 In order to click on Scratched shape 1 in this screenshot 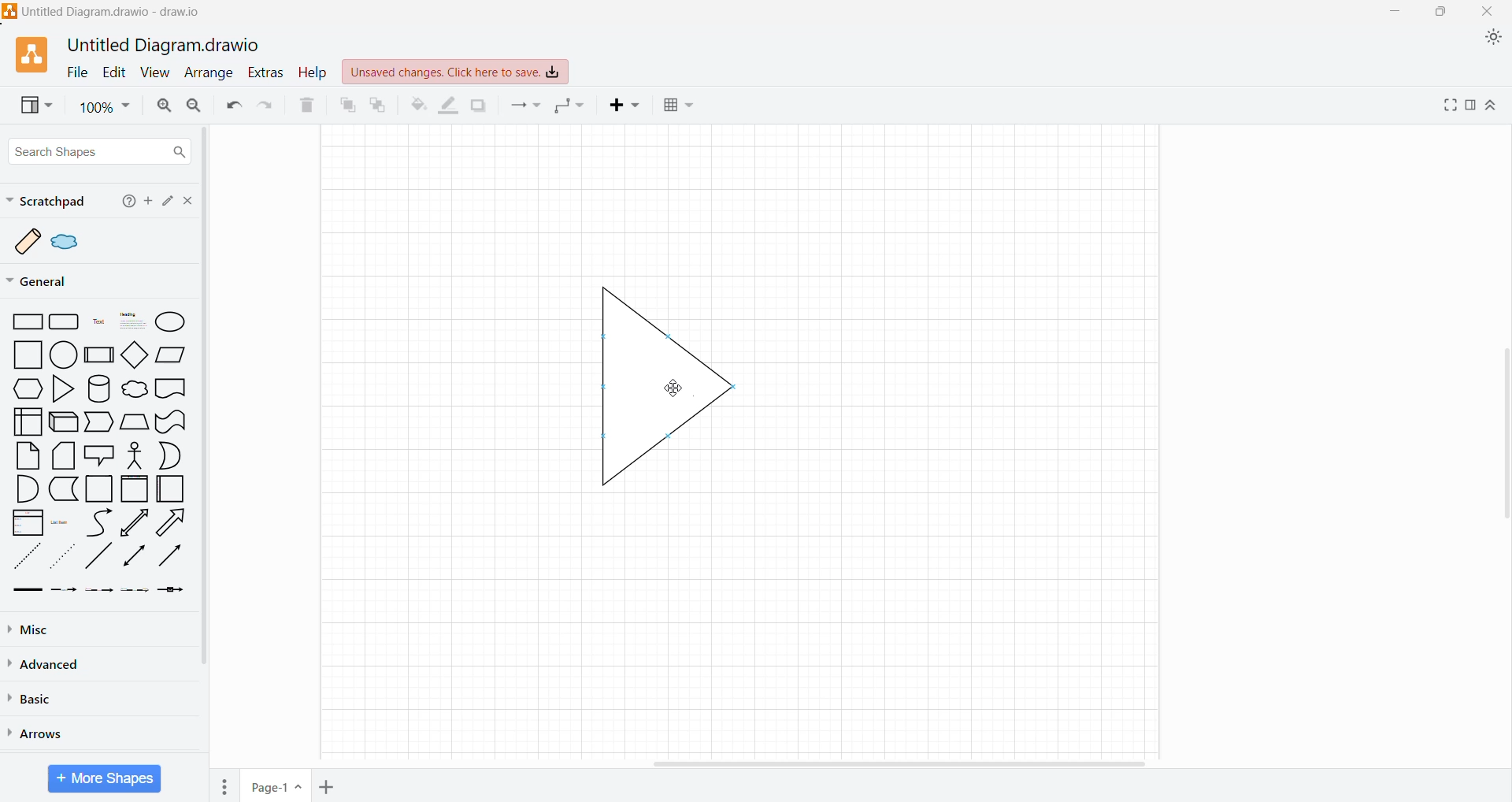, I will do `click(29, 240)`.